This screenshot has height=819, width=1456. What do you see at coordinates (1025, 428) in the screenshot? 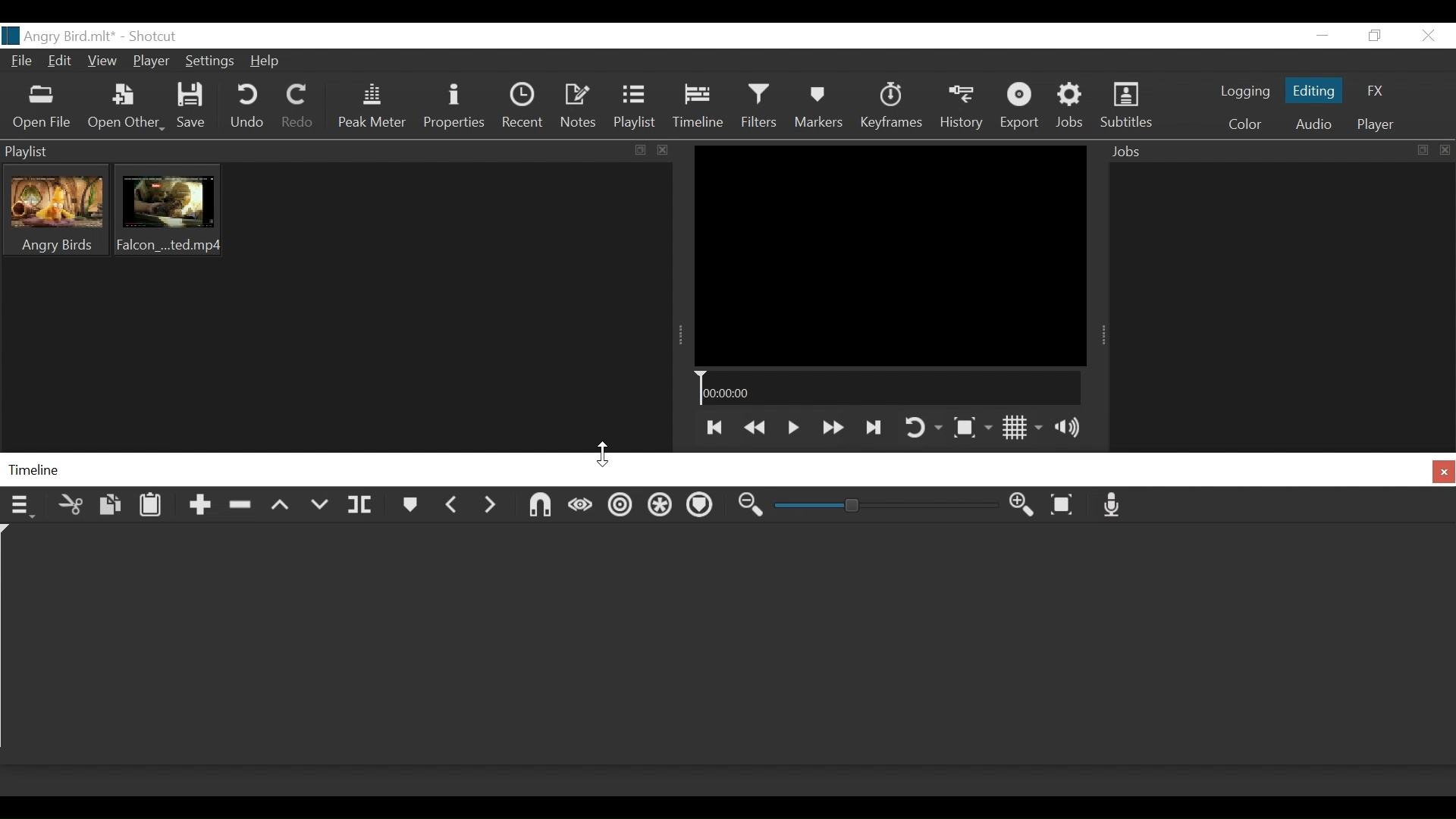
I see `Toggle display grid on player` at bounding box center [1025, 428].